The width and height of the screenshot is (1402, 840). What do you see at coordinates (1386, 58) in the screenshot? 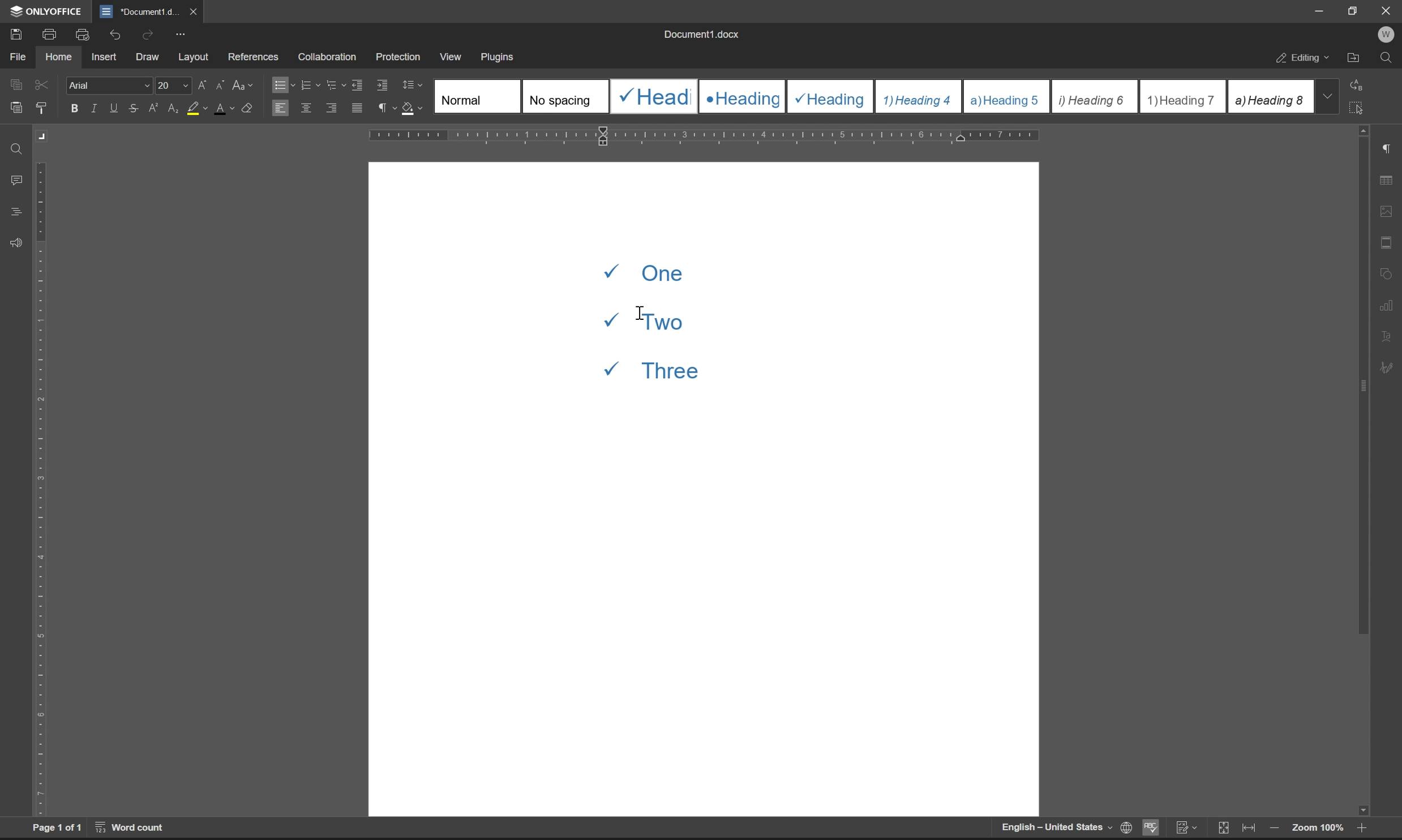
I see `find` at bounding box center [1386, 58].